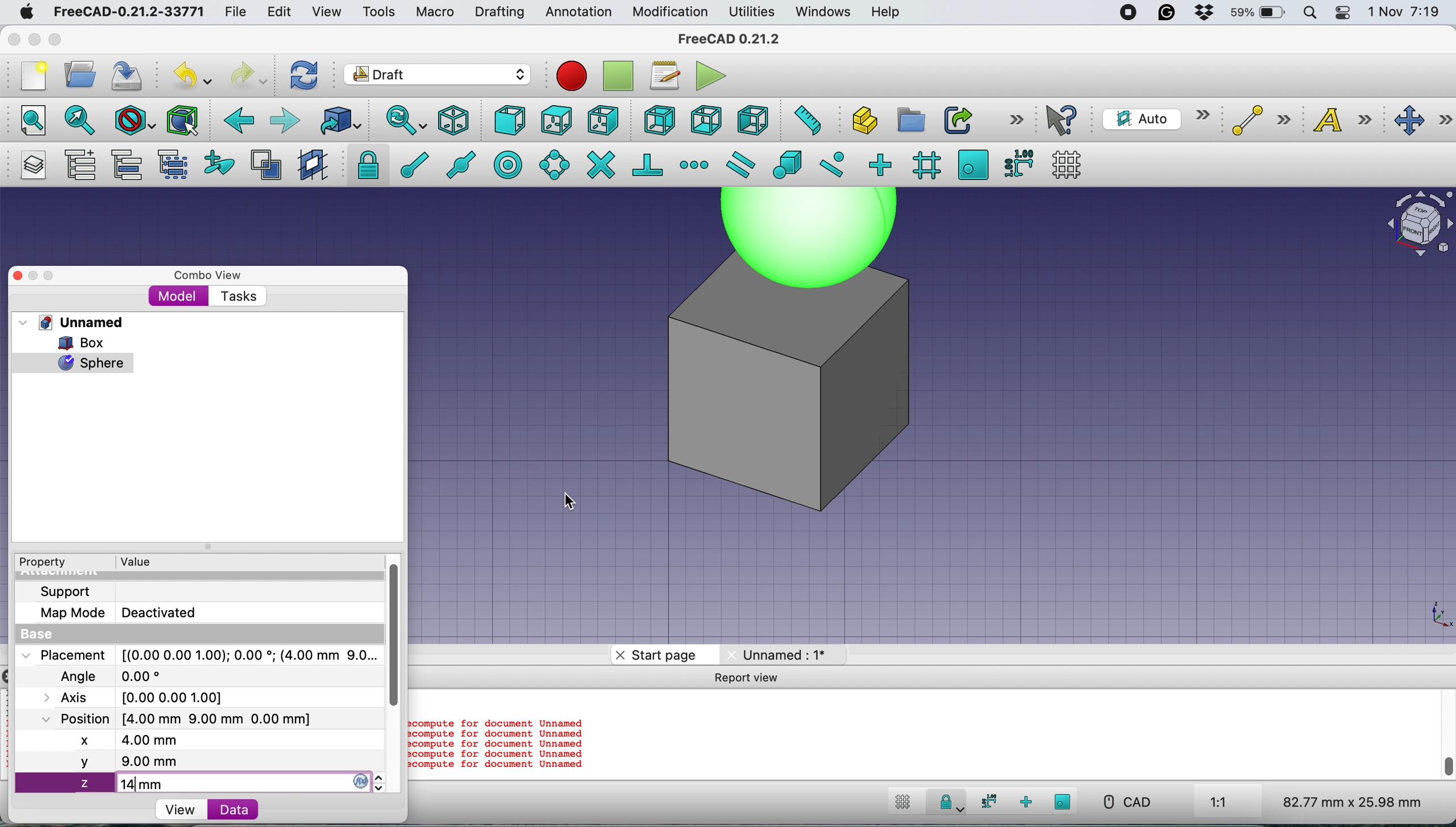 Image resolution: width=1456 pixels, height=827 pixels. What do you see at coordinates (712, 76) in the screenshot?
I see `execute macros` at bounding box center [712, 76].